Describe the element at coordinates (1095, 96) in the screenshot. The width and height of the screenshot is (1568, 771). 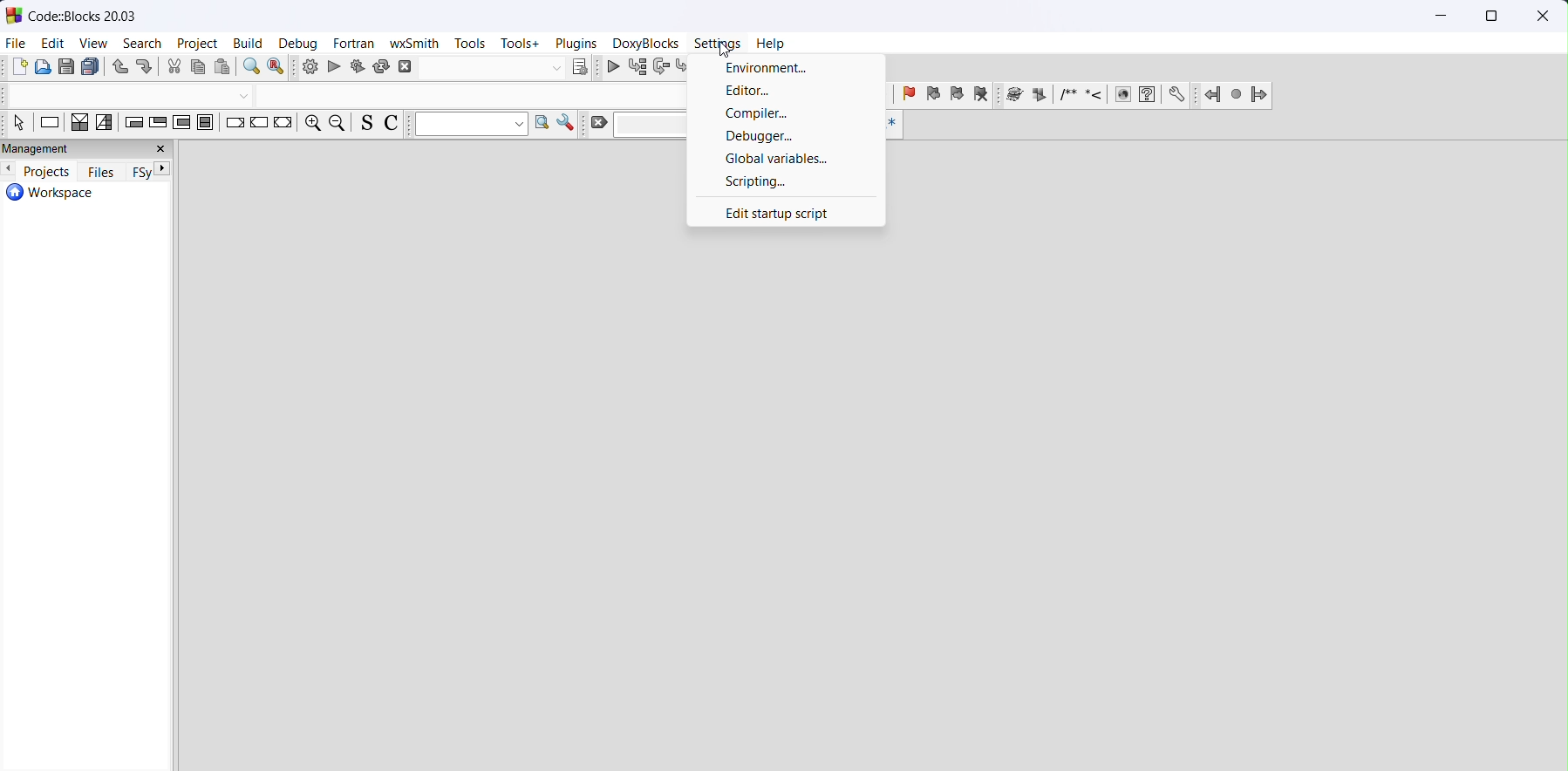
I see `docxy blocks` at that location.